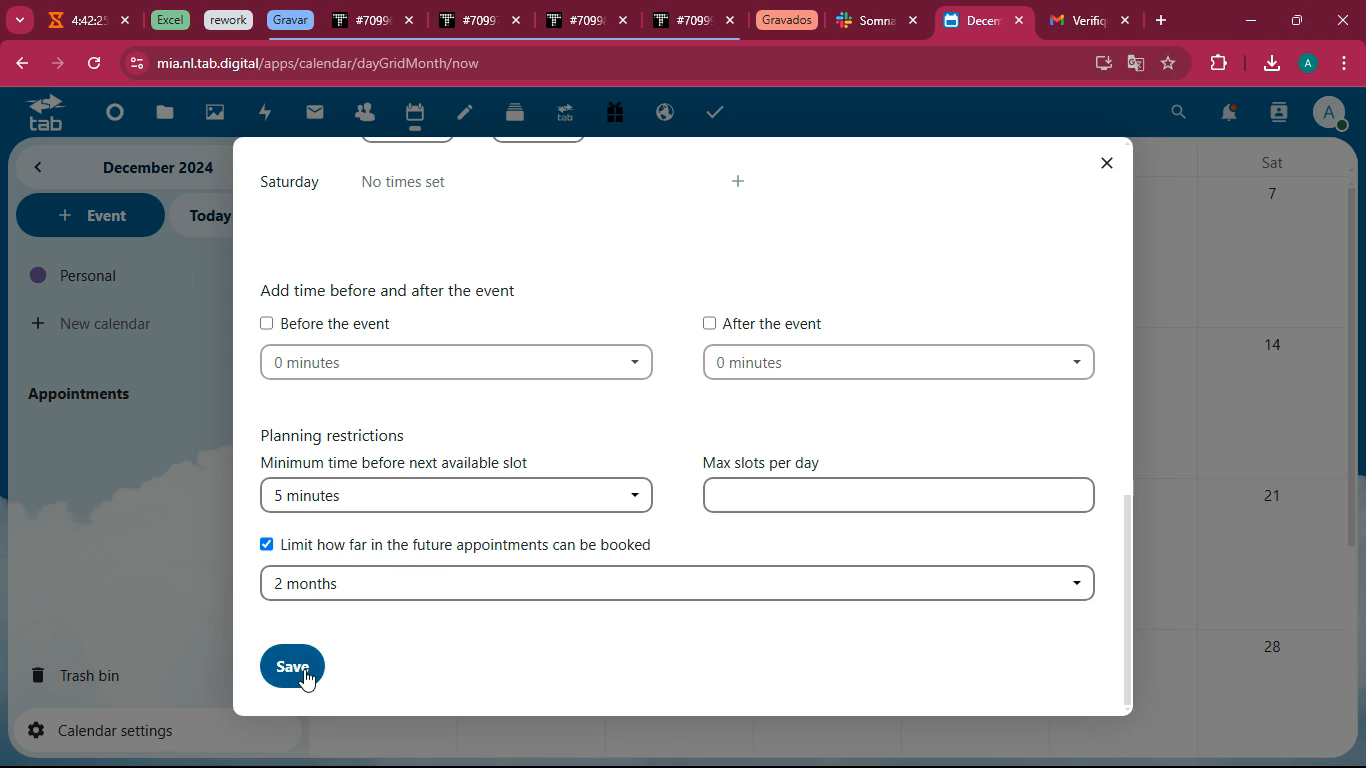  I want to click on tab, so click(1074, 21).